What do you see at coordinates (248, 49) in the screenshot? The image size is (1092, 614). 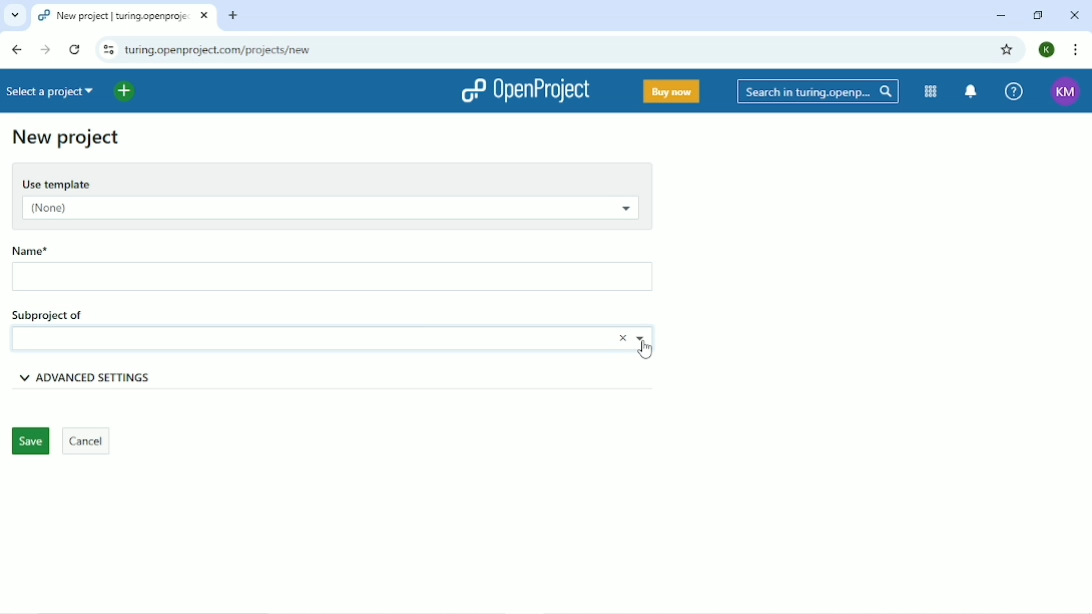 I see `turing.openproject.com/projects/new` at bounding box center [248, 49].